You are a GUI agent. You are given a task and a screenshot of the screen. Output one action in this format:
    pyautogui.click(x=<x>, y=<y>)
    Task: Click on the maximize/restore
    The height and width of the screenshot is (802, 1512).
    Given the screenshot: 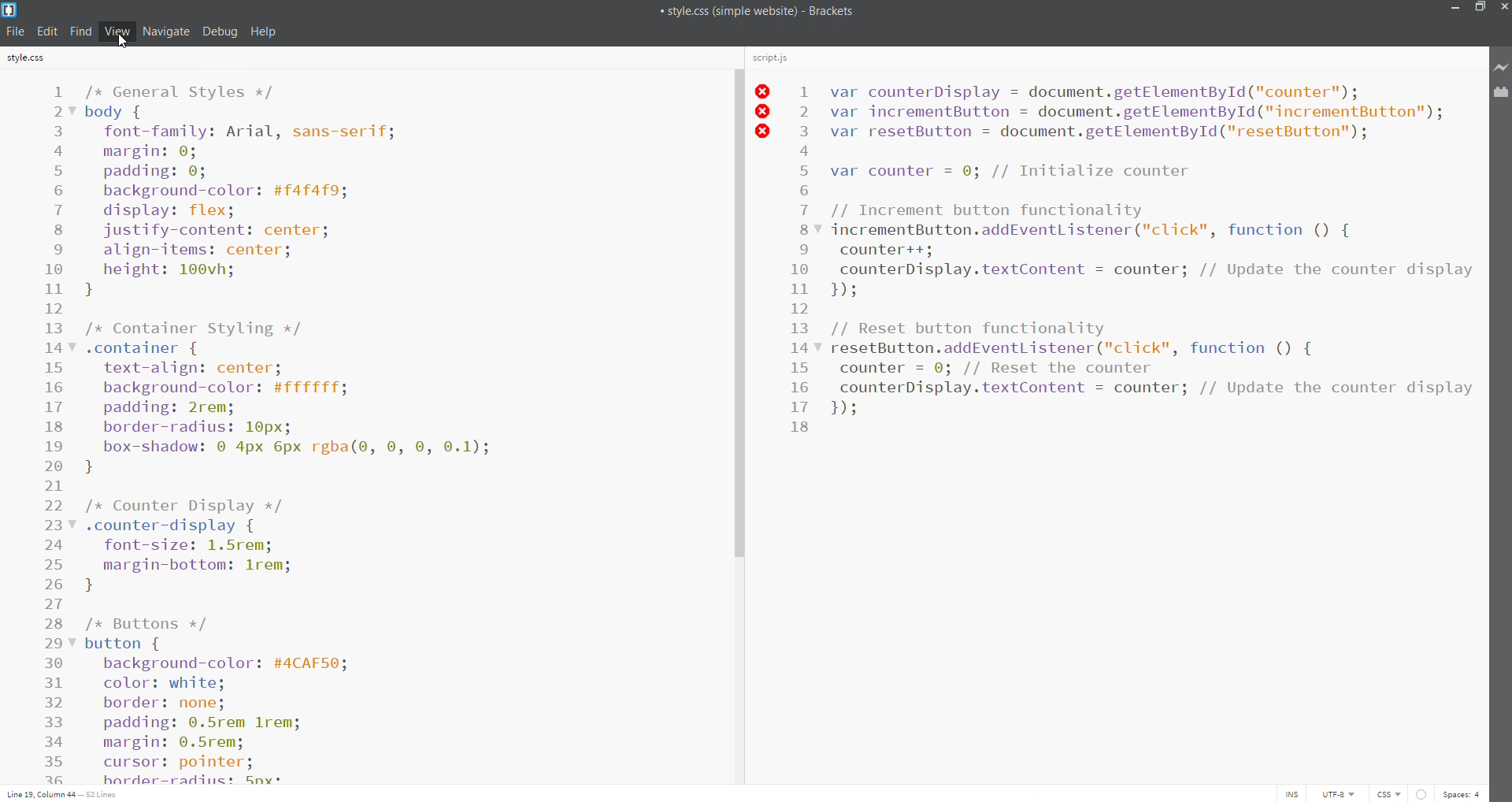 What is the action you would take?
    pyautogui.click(x=1478, y=9)
    